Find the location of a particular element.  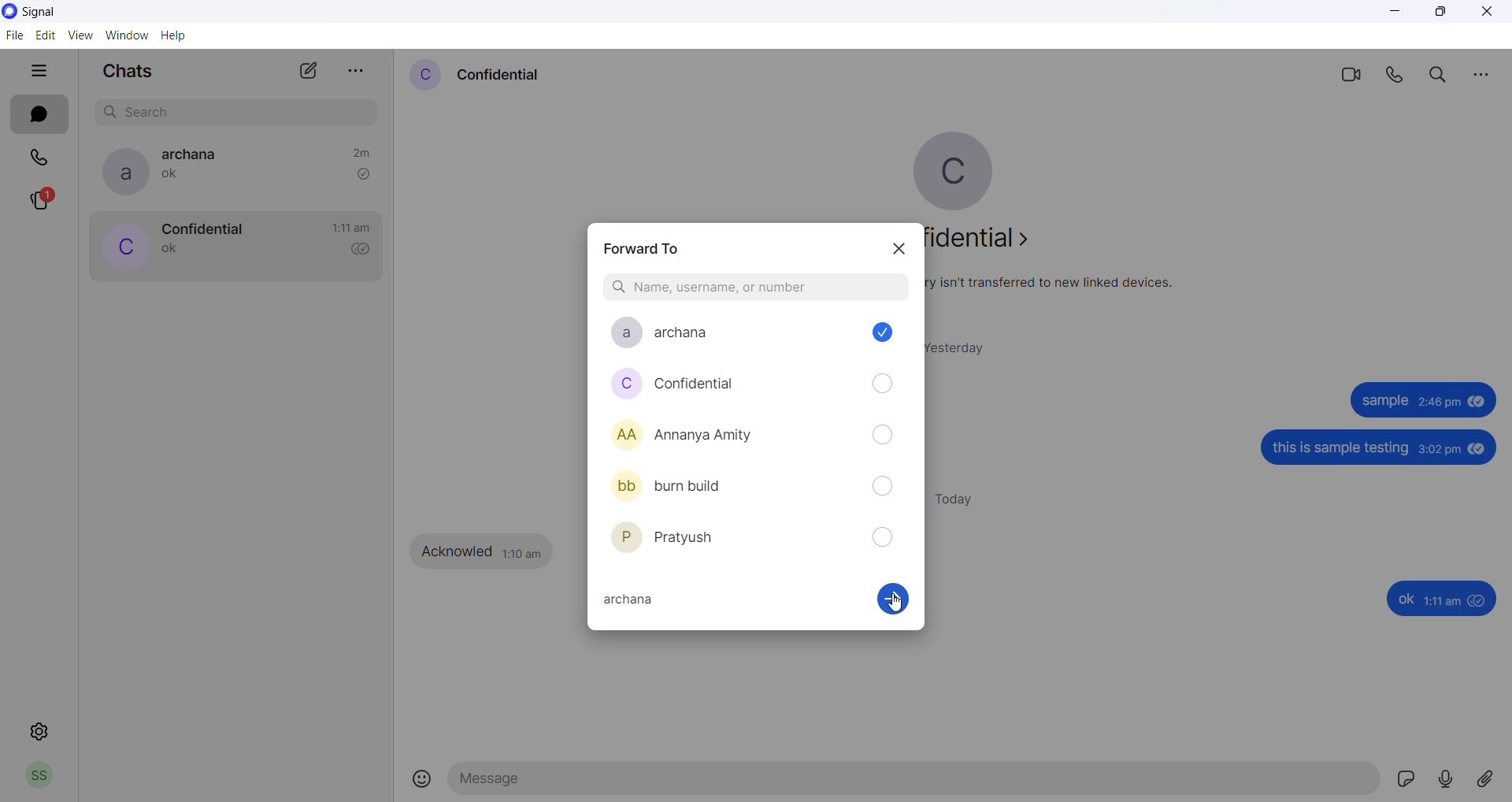

saved contacts is located at coordinates (752, 436).